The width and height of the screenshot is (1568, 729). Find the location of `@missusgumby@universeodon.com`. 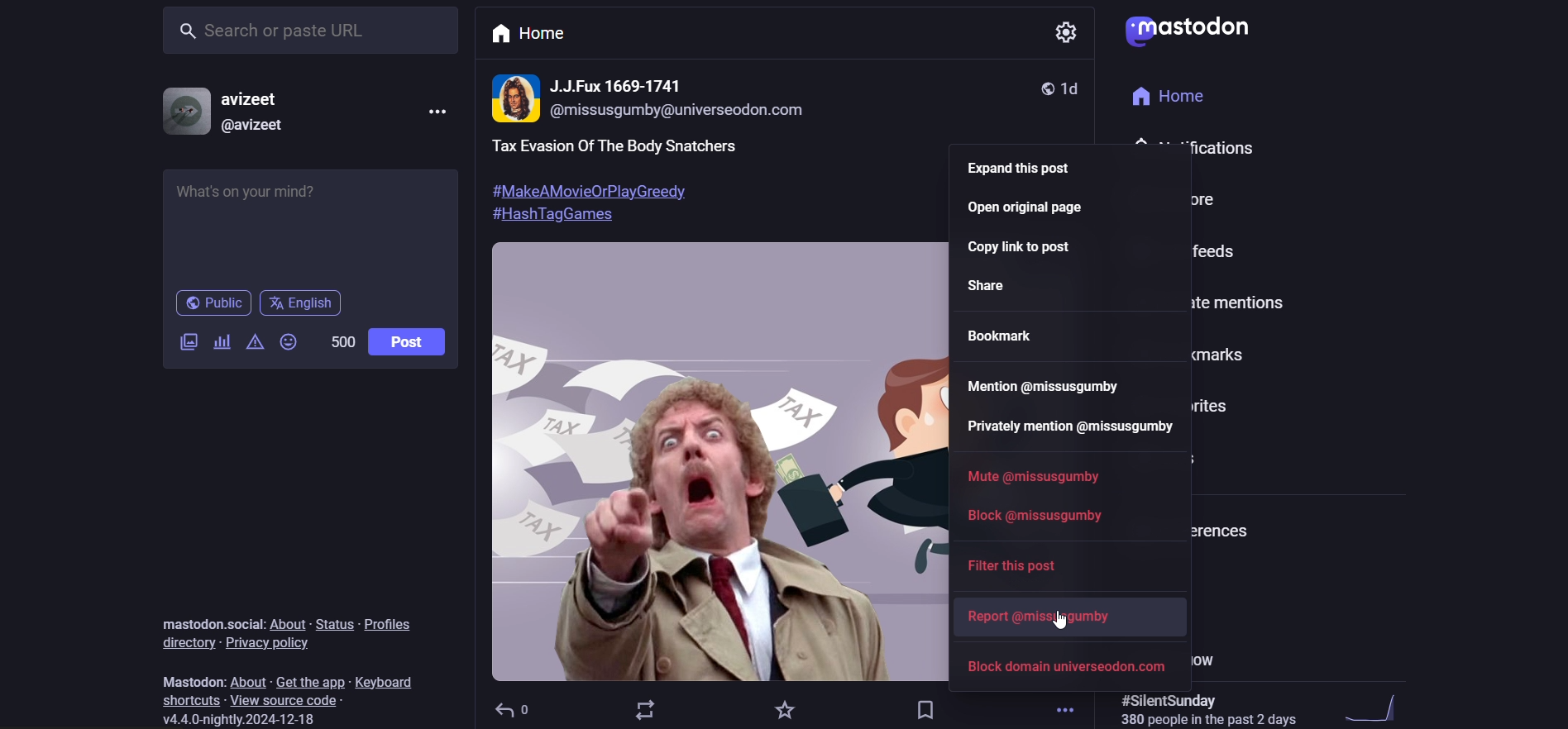

@missusgumby@universeodon.com is located at coordinates (699, 111).